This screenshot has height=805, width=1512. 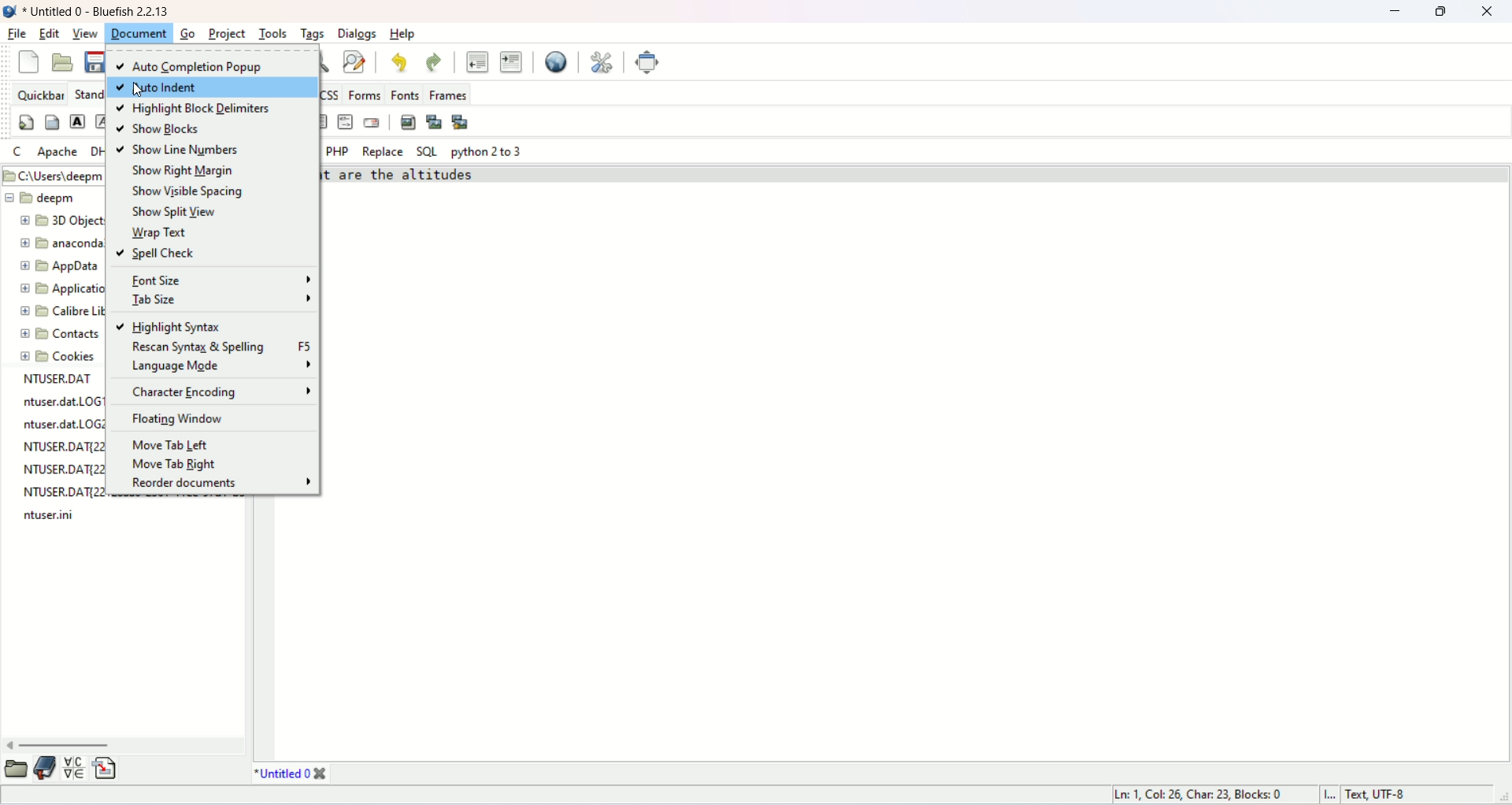 What do you see at coordinates (1401, 795) in the screenshot?
I see `text, UTF-8` at bounding box center [1401, 795].